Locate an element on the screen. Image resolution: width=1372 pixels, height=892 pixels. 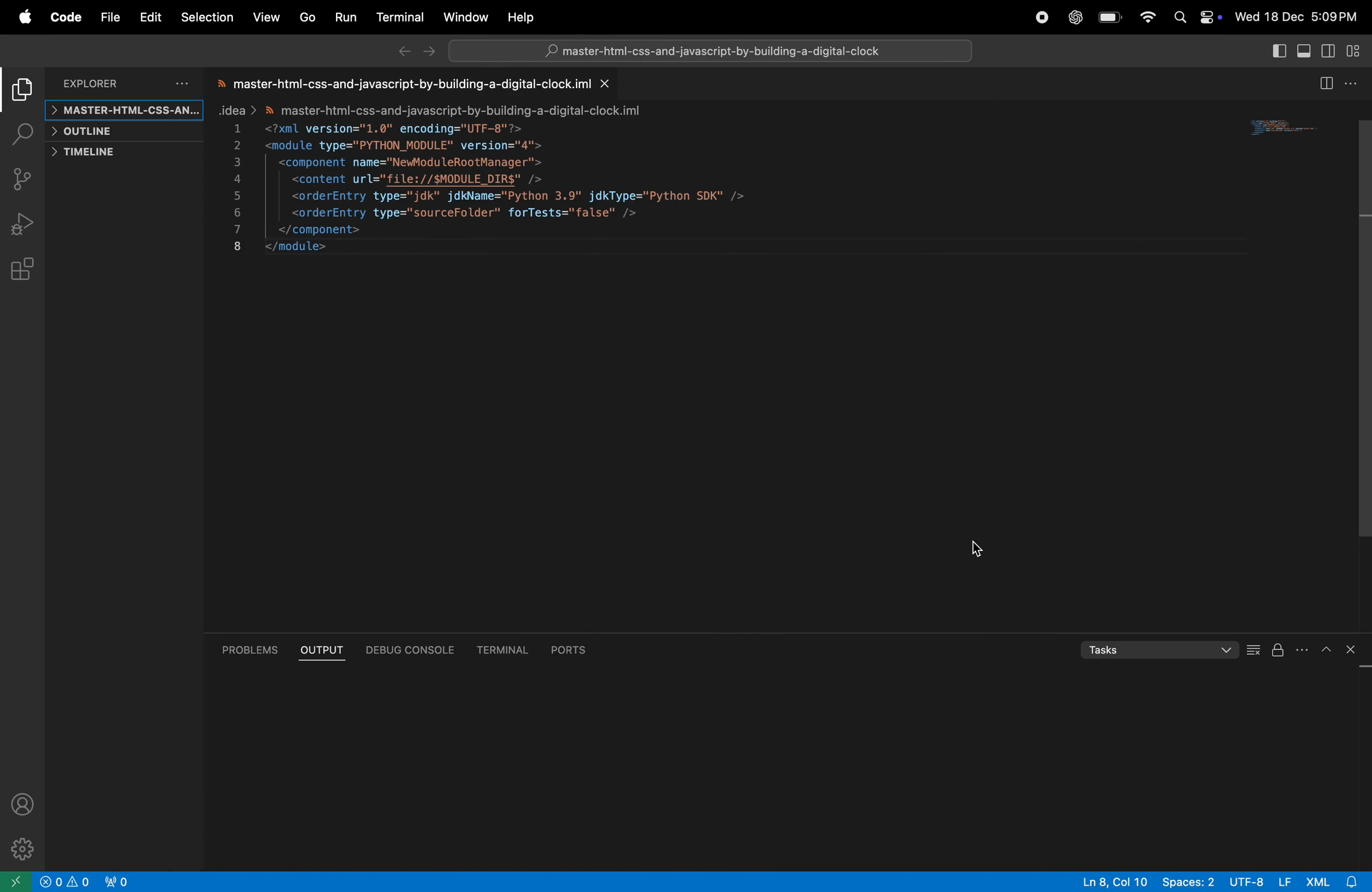
window is located at coordinates (463, 17).